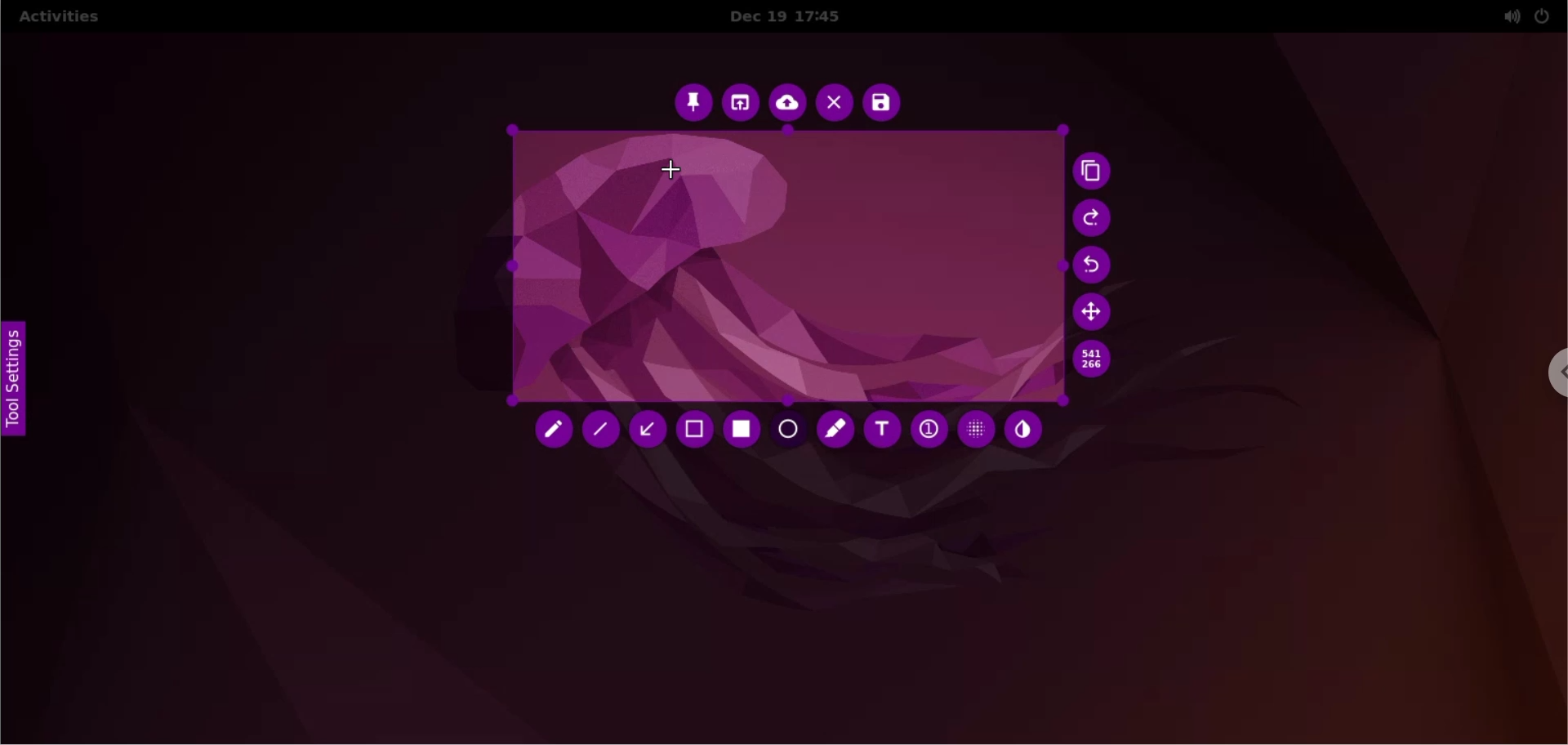 The height and width of the screenshot is (745, 1568). What do you see at coordinates (650, 430) in the screenshot?
I see `arrow tool` at bounding box center [650, 430].